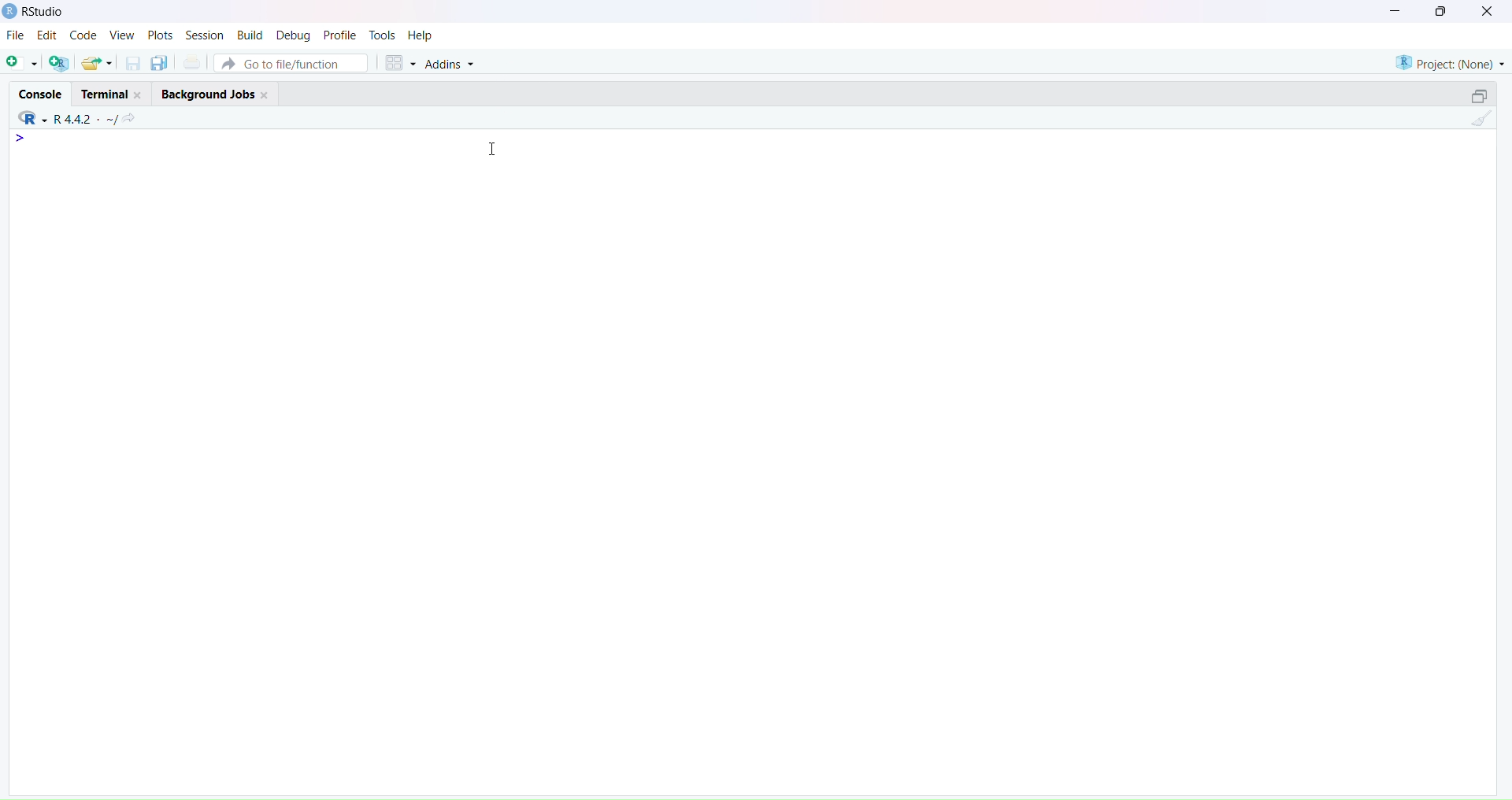 This screenshot has height=800, width=1512. I want to click on file, so click(17, 35).